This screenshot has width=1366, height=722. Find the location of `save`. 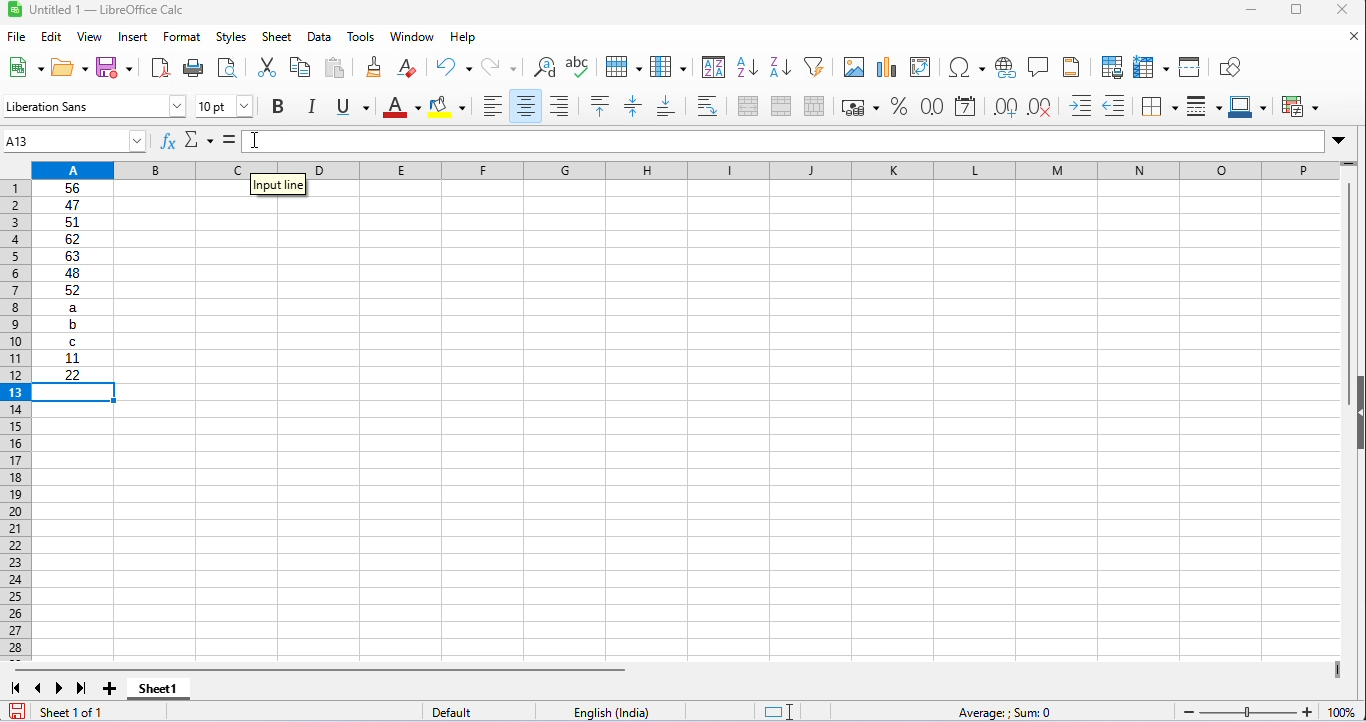

save is located at coordinates (116, 68).